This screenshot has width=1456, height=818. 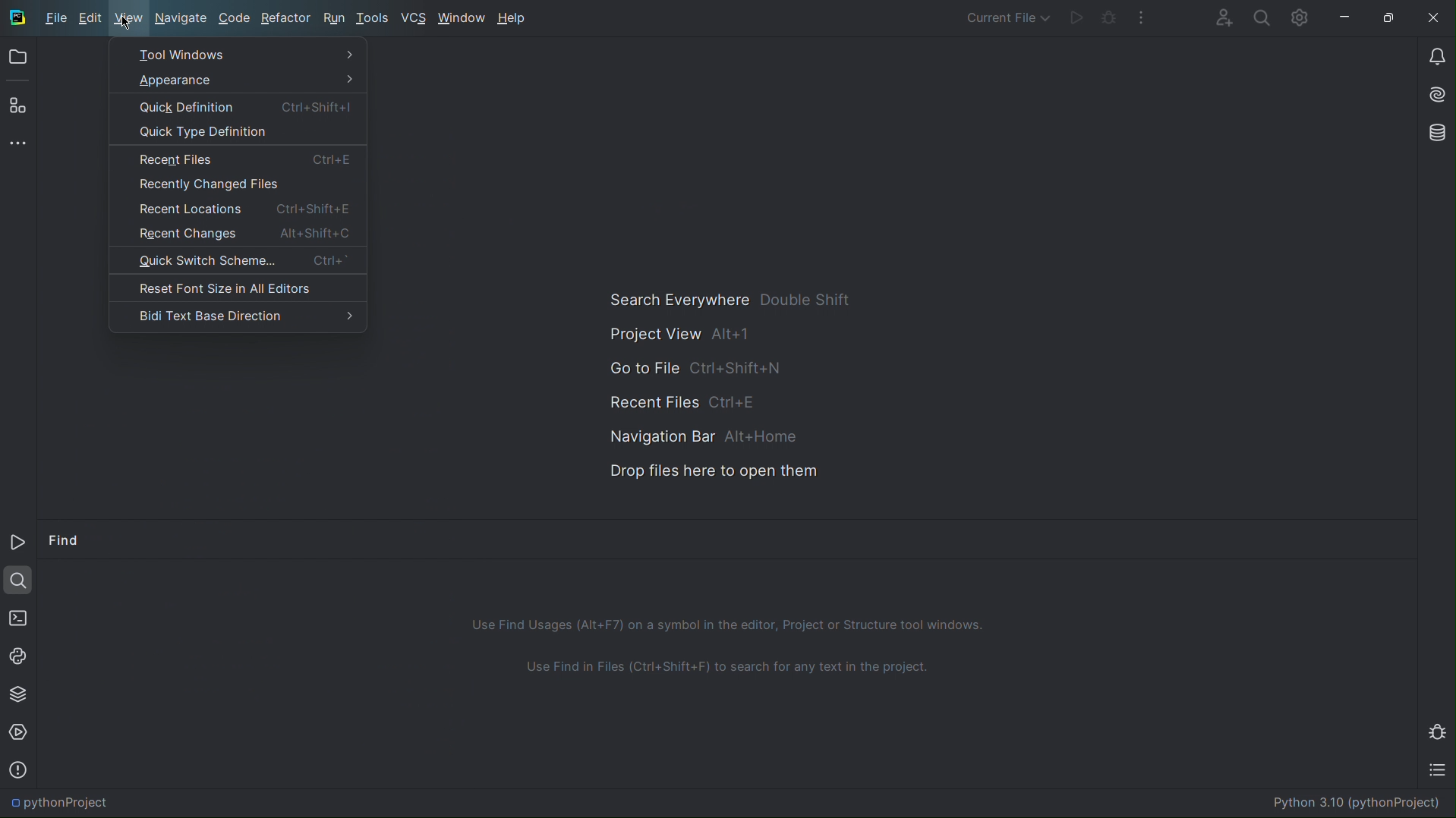 What do you see at coordinates (241, 81) in the screenshot?
I see `Appearance` at bounding box center [241, 81].